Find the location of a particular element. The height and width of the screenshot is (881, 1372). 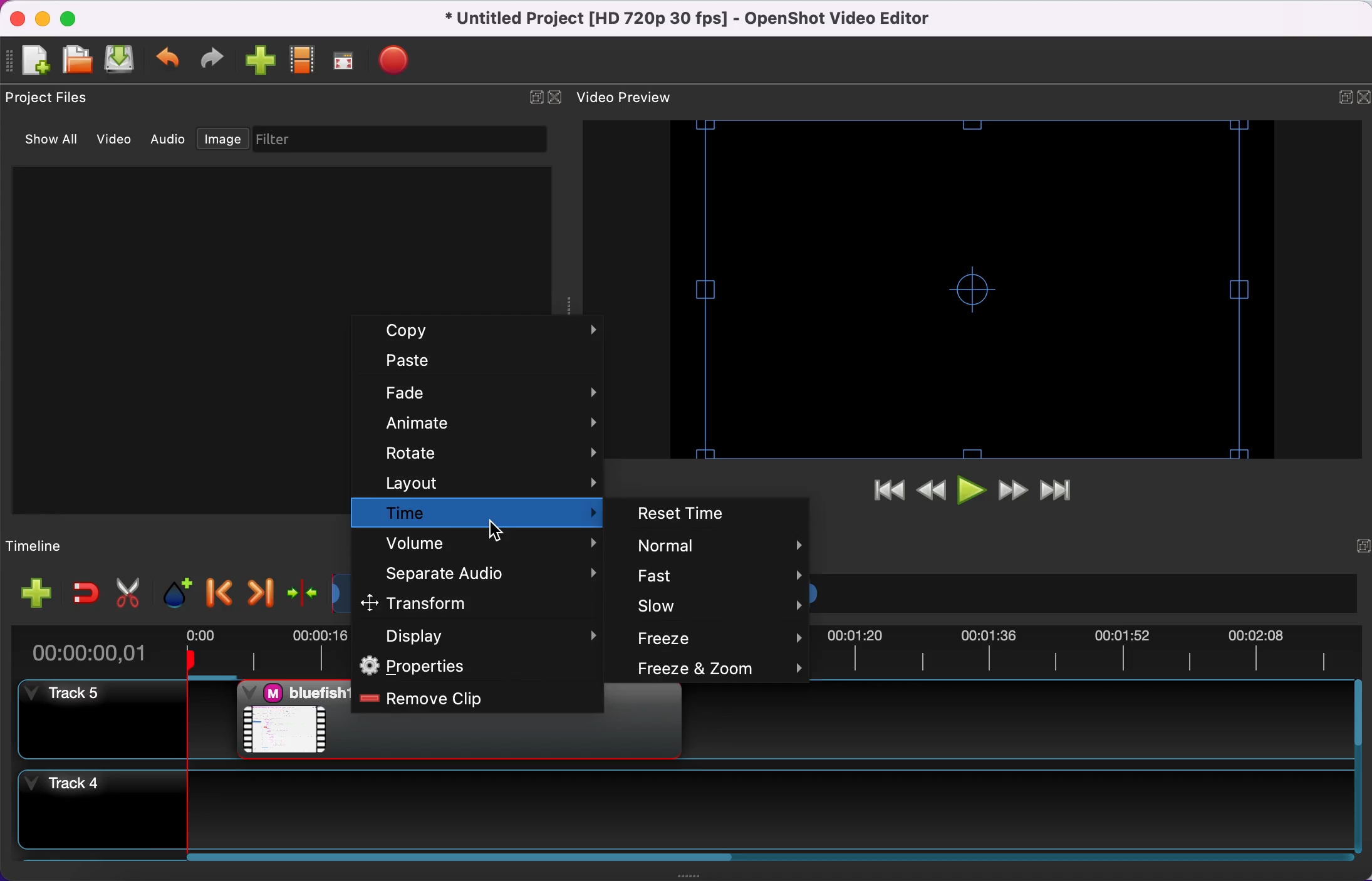

undo is located at coordinates (172, 61).